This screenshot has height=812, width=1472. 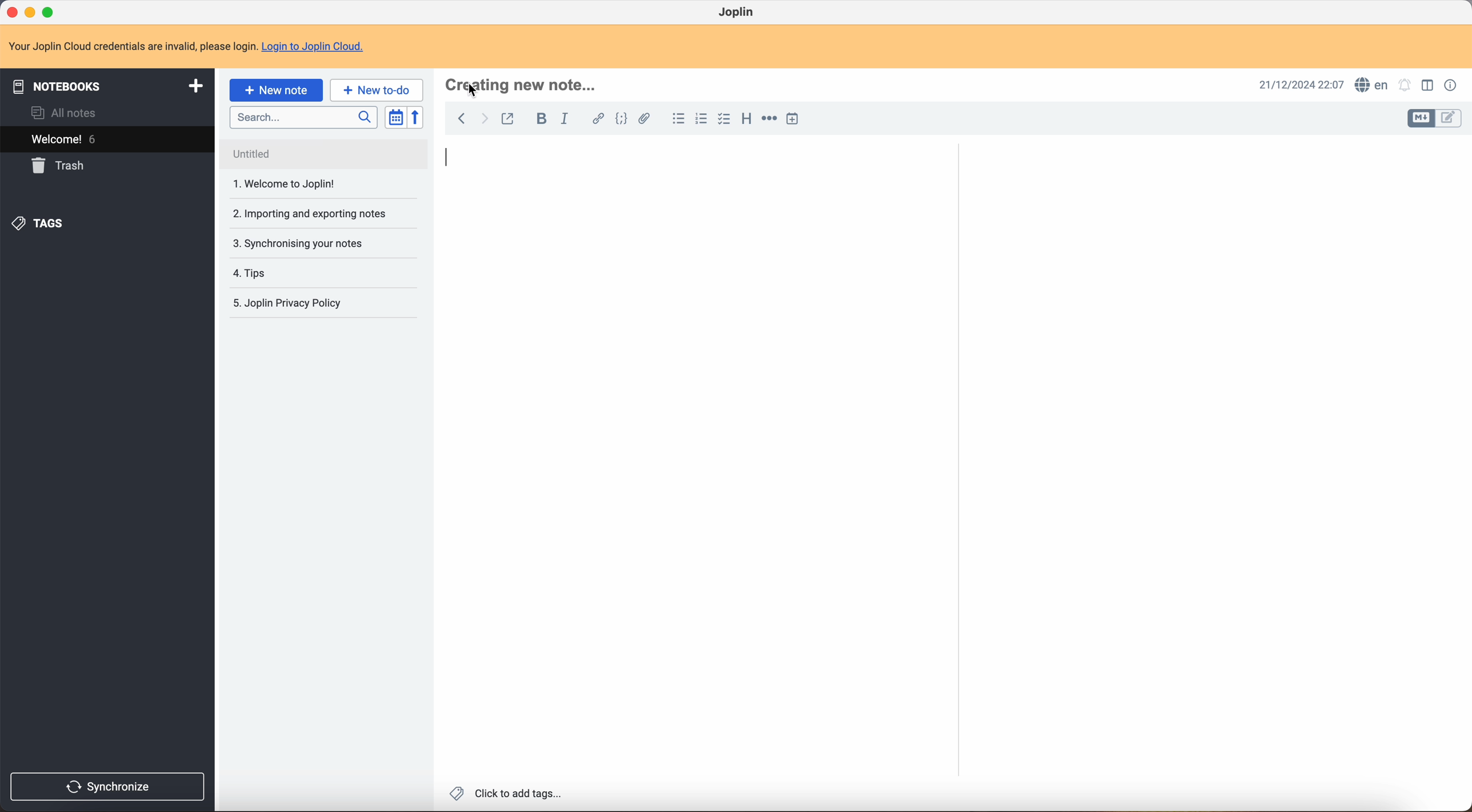 What do you see at coordinates (1373, 84) in the screenshot?
I see `spell checker` at bounding box center [1373, 84].